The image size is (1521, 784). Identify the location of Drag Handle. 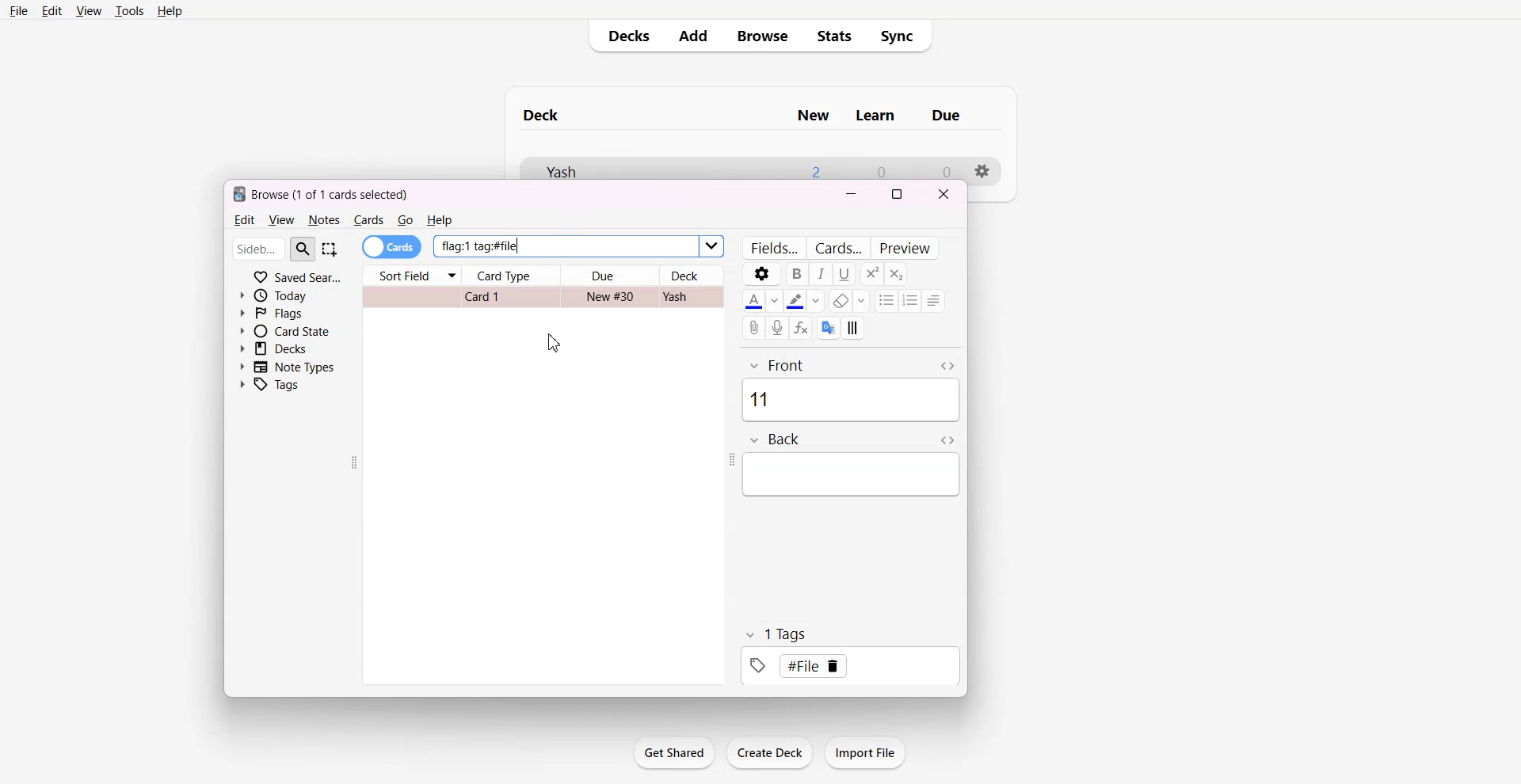
(729, 459).